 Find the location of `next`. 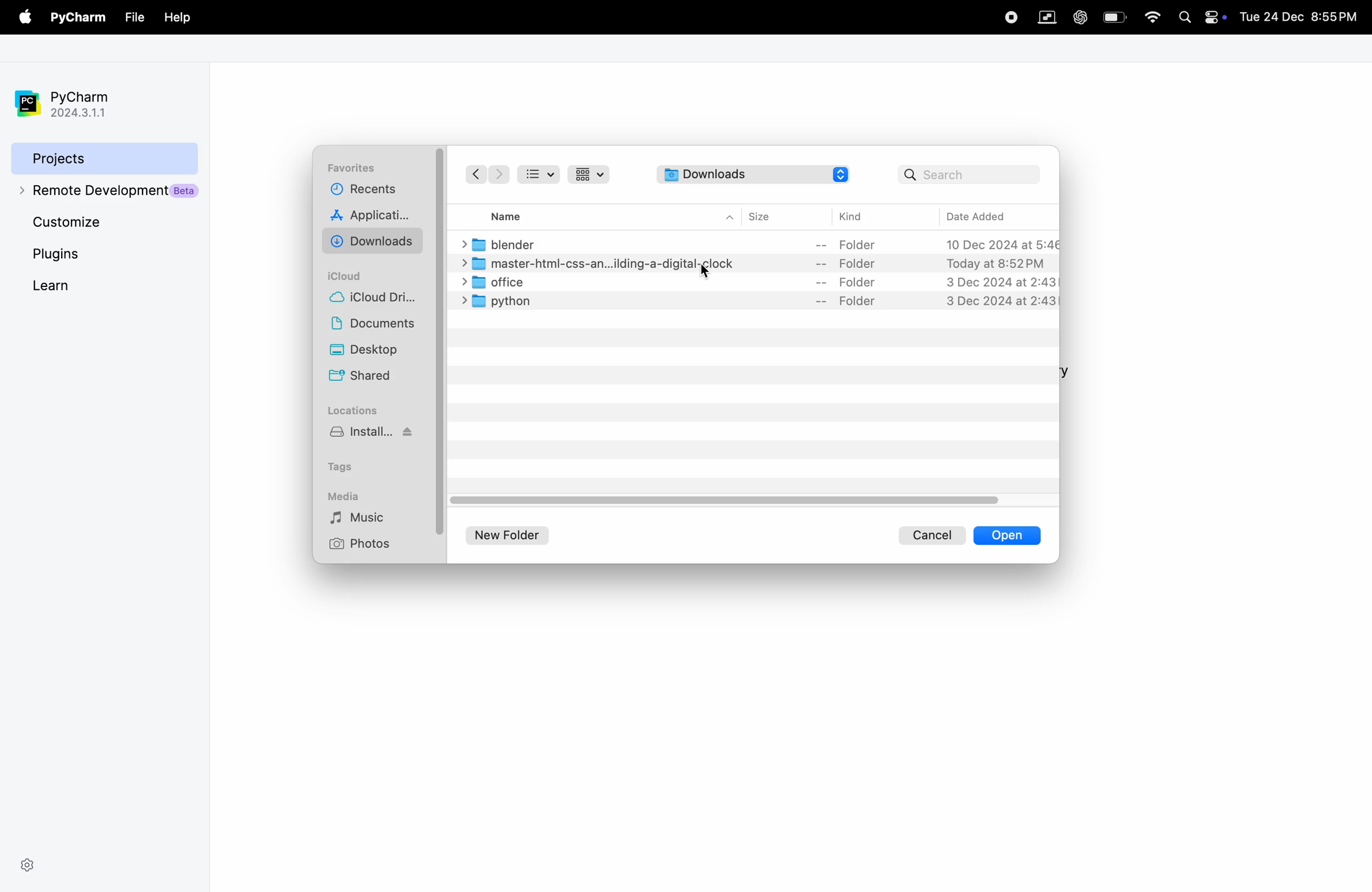

next is located at coordinates (499, 175).